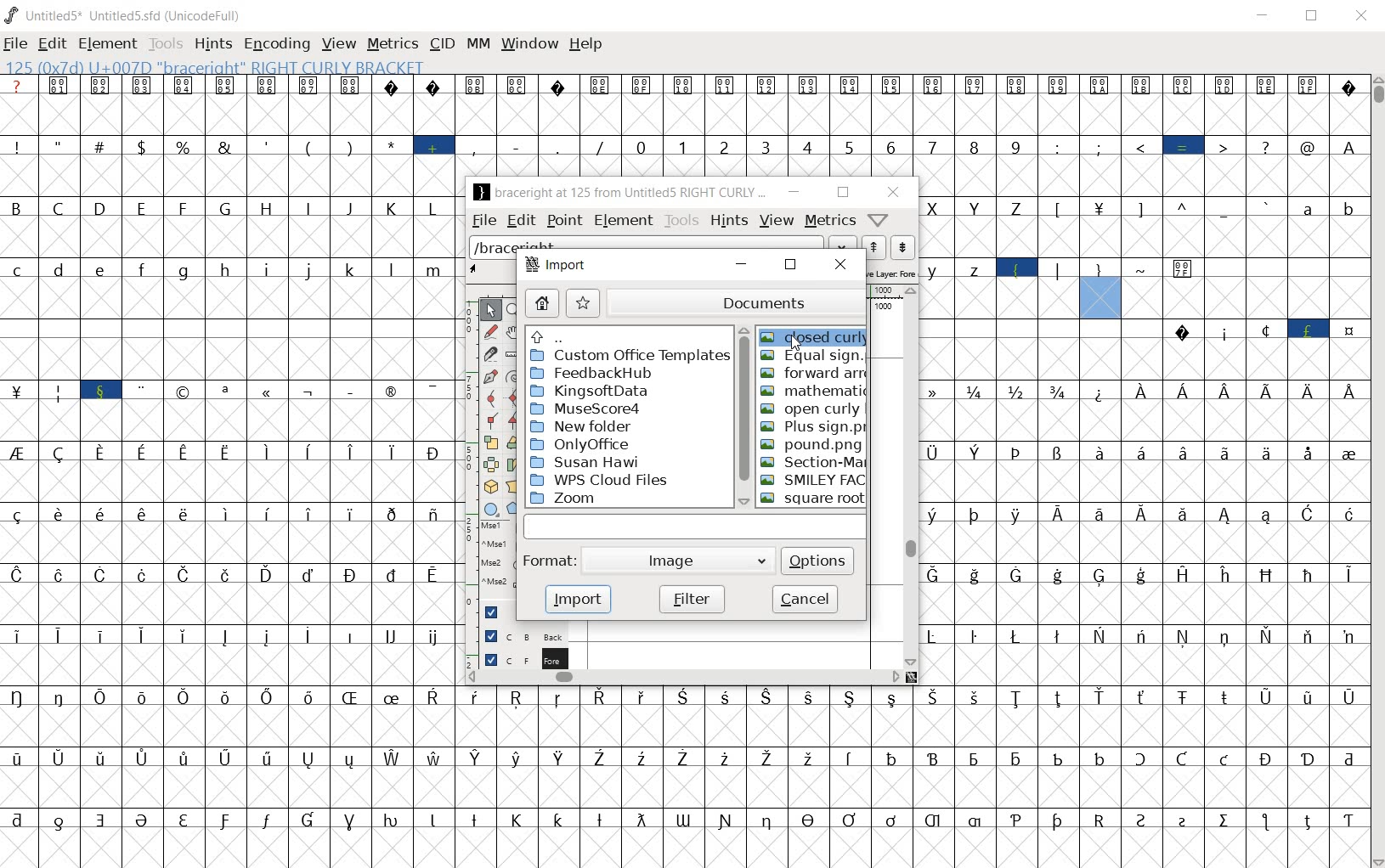  Describe the element at coordinates (628, 339) in the screenshot. I see `up directories` at that location.